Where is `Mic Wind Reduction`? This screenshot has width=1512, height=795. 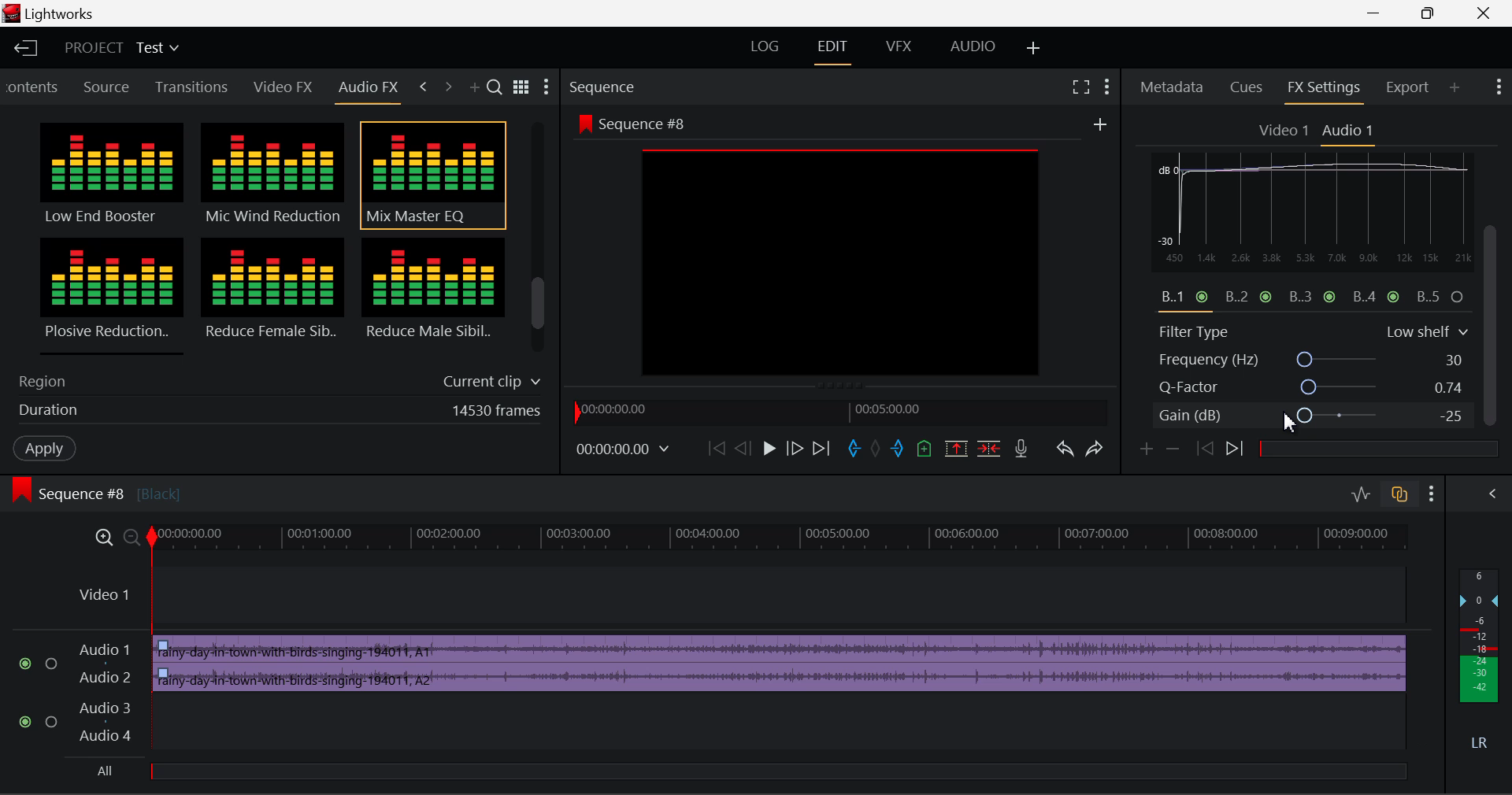 Mic Wind Reduction is located at coordinates (273, 176).